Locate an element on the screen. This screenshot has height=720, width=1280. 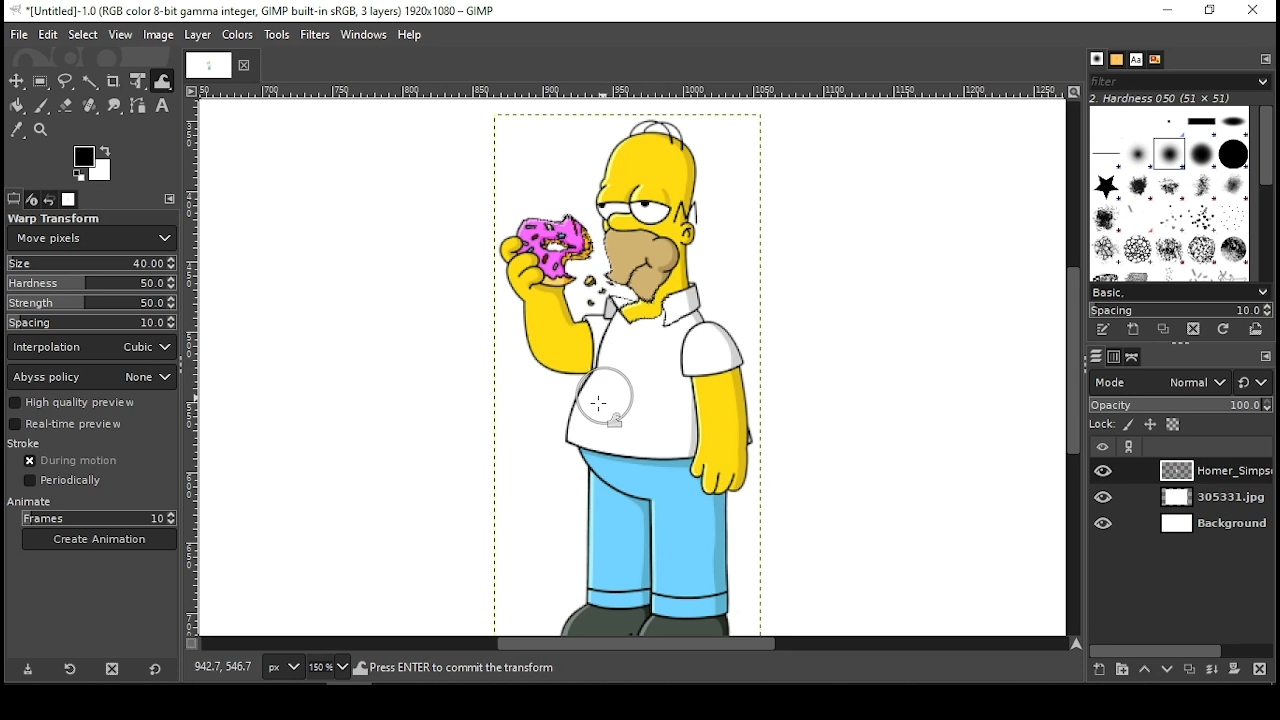
channels is located at coordinates (1115, 357).